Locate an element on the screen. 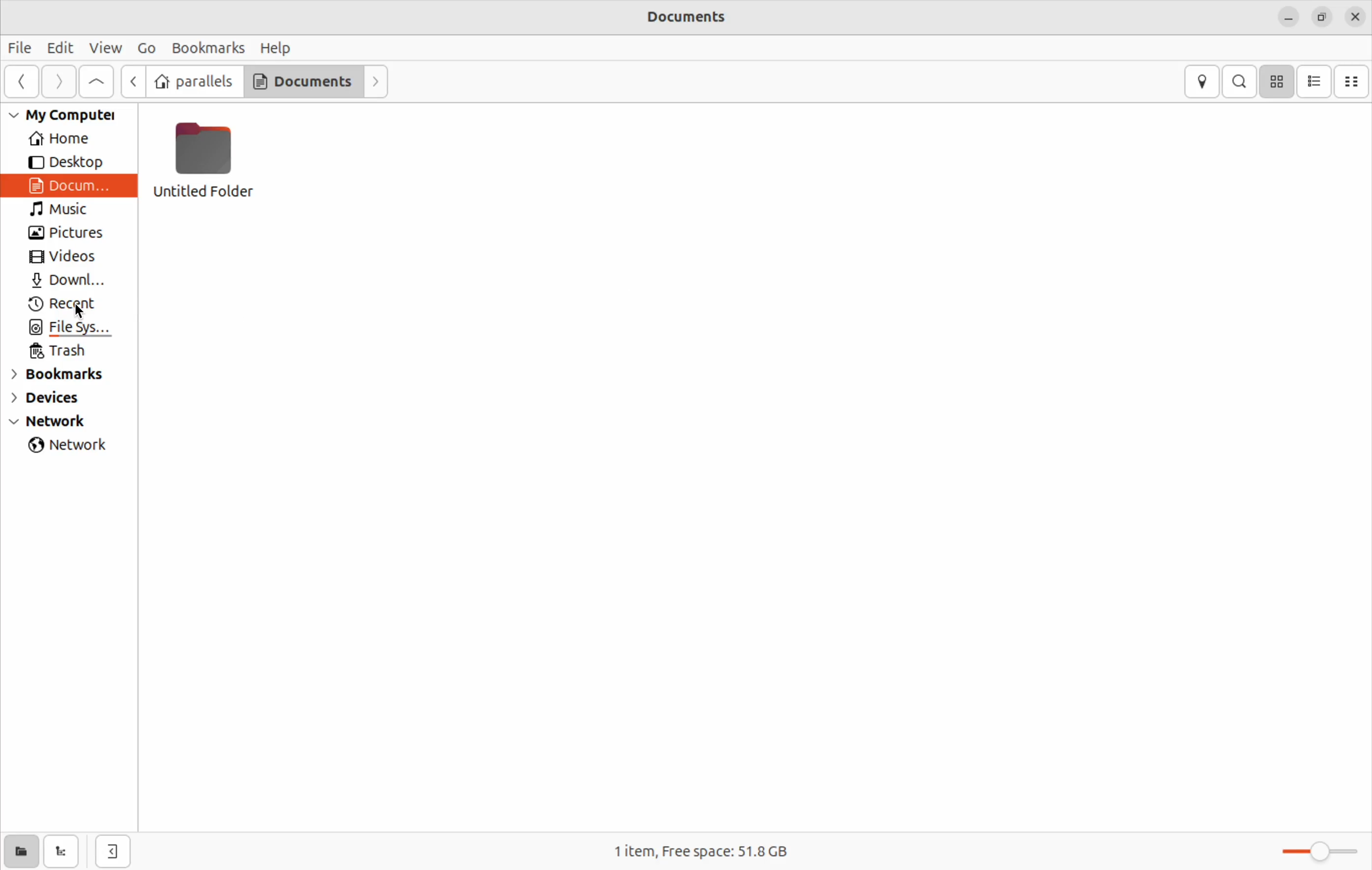   1 item free space51.8 Gb is located at coordinates (699, 850).